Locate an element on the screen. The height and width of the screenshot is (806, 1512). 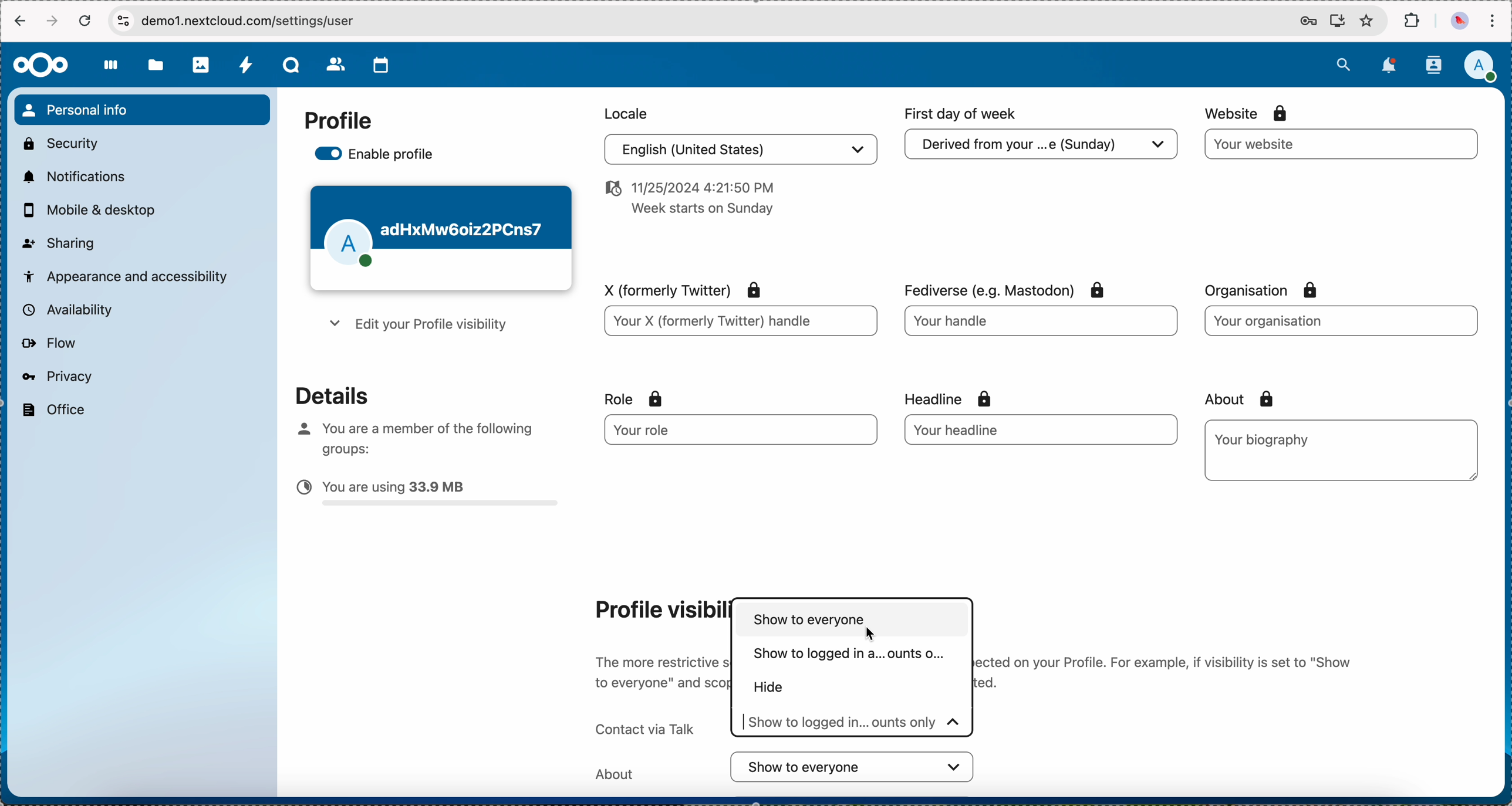
enable profile is located at coordinates (377, 155).